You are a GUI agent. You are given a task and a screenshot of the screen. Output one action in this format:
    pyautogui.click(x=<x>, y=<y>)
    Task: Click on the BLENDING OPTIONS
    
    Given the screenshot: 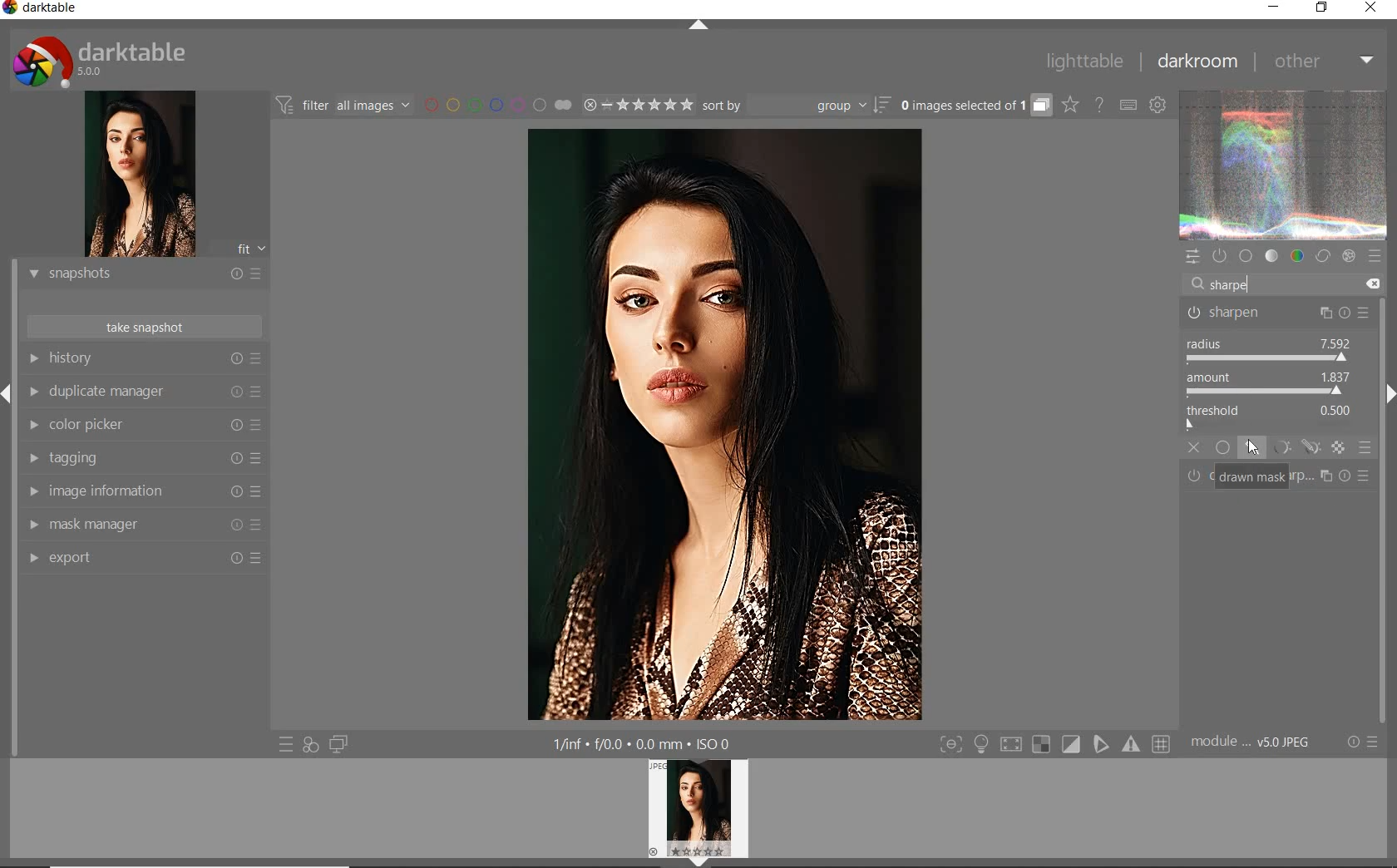 What is the action you would take?
    pyautogui.click(x=1365, y=447)
    